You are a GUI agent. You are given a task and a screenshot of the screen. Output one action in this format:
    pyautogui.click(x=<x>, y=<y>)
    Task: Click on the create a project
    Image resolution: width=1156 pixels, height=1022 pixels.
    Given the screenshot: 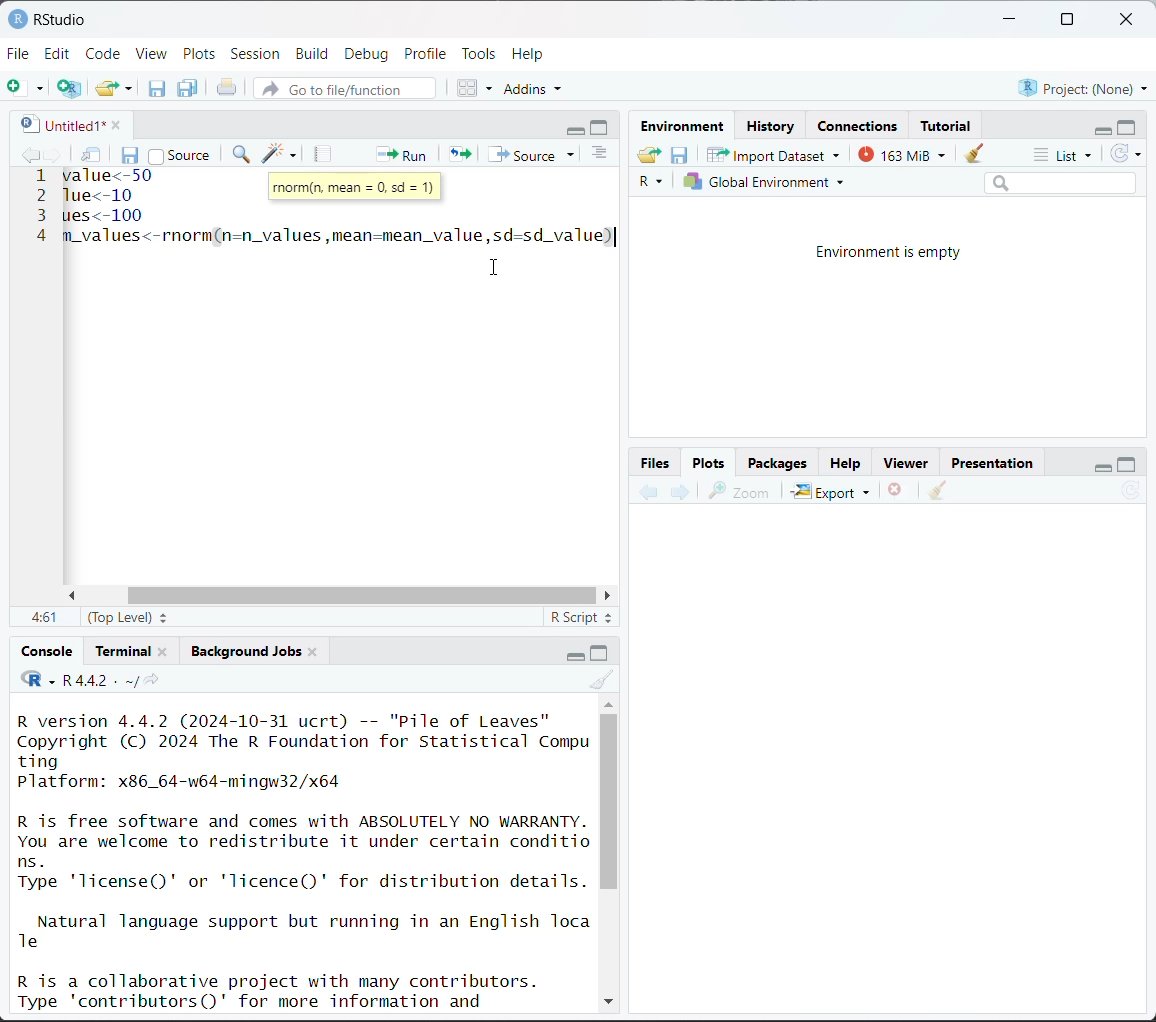 What is the action you would take?
    pyautogui.click(x=69, y=88)
    